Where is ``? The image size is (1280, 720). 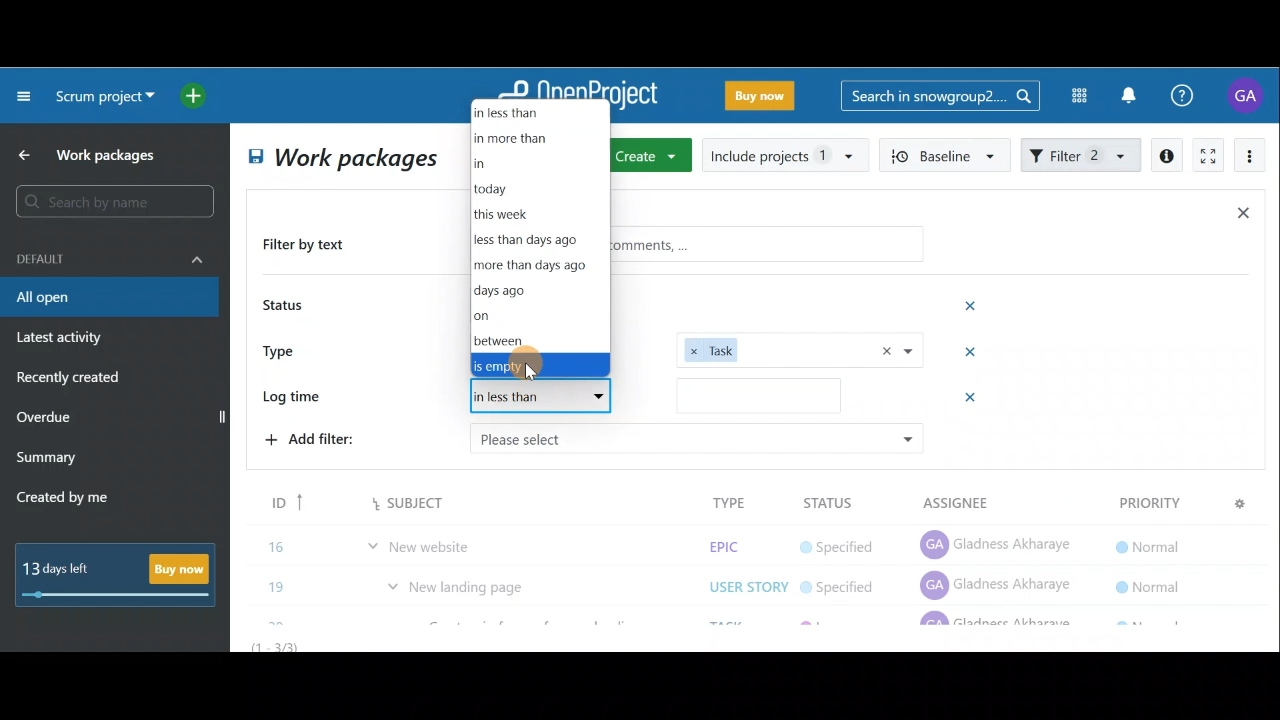
 is located at coordinates (758, 395).